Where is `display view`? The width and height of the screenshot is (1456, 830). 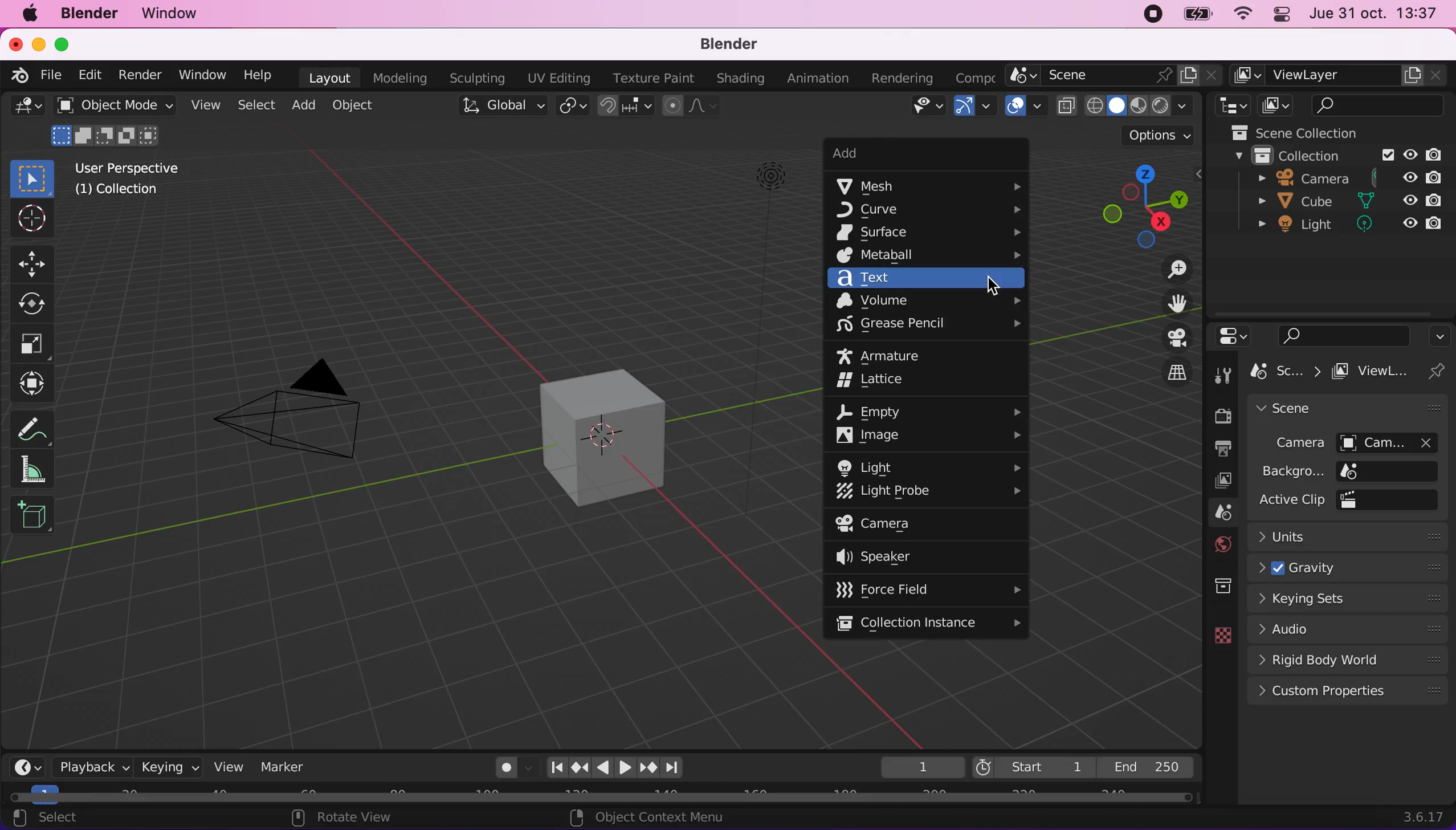
display view is located at coordinates (1280, 106).